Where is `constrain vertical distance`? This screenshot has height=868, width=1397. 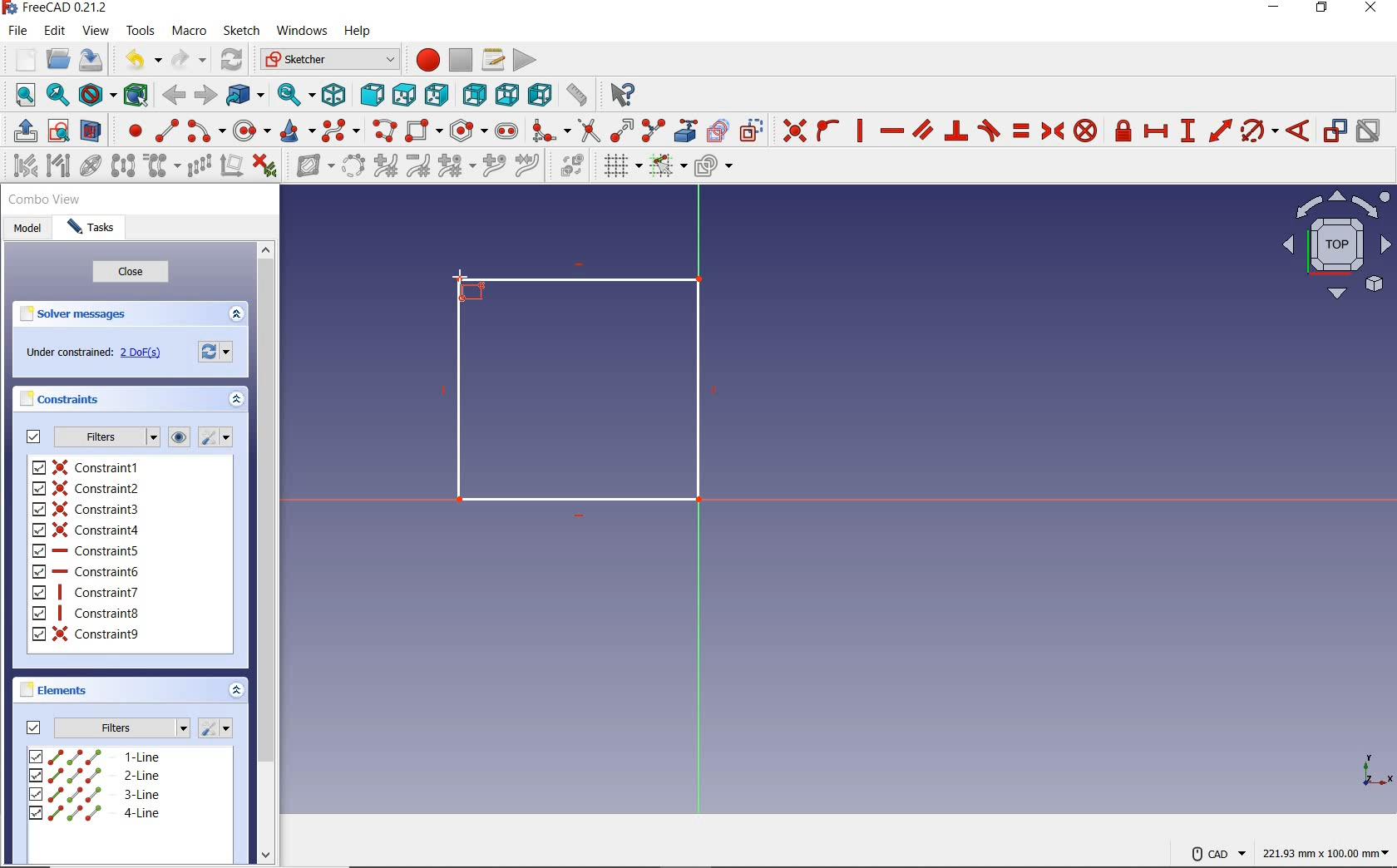 constrain vertical distance is located at coordinates (1188, 131).